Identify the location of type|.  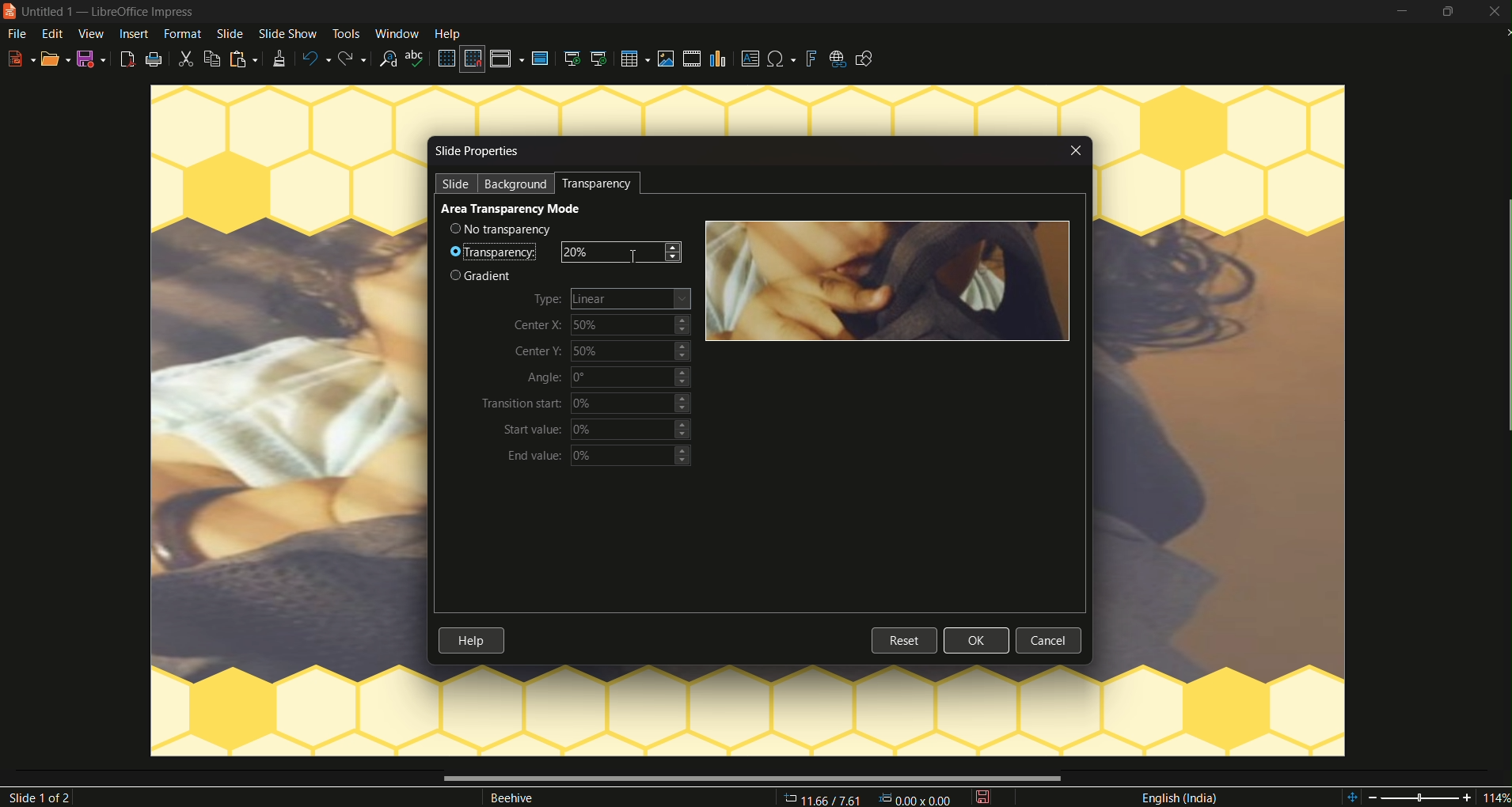
(549, 298).